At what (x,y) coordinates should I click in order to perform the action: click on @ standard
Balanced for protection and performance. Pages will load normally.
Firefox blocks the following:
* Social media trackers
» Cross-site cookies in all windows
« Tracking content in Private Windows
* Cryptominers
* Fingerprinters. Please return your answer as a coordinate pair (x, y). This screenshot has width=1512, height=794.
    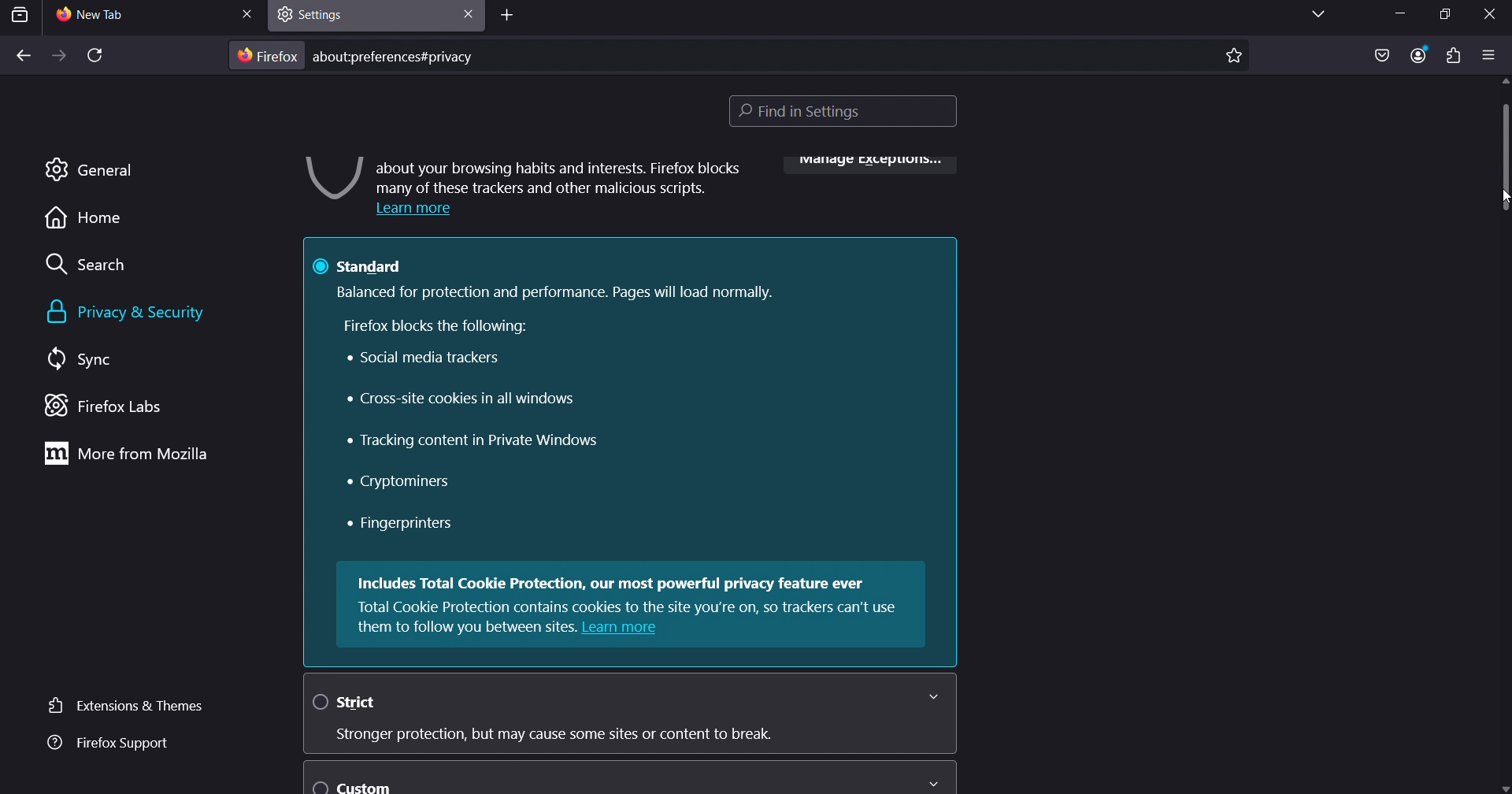
    Looking at the image, I should click on (625, 398).